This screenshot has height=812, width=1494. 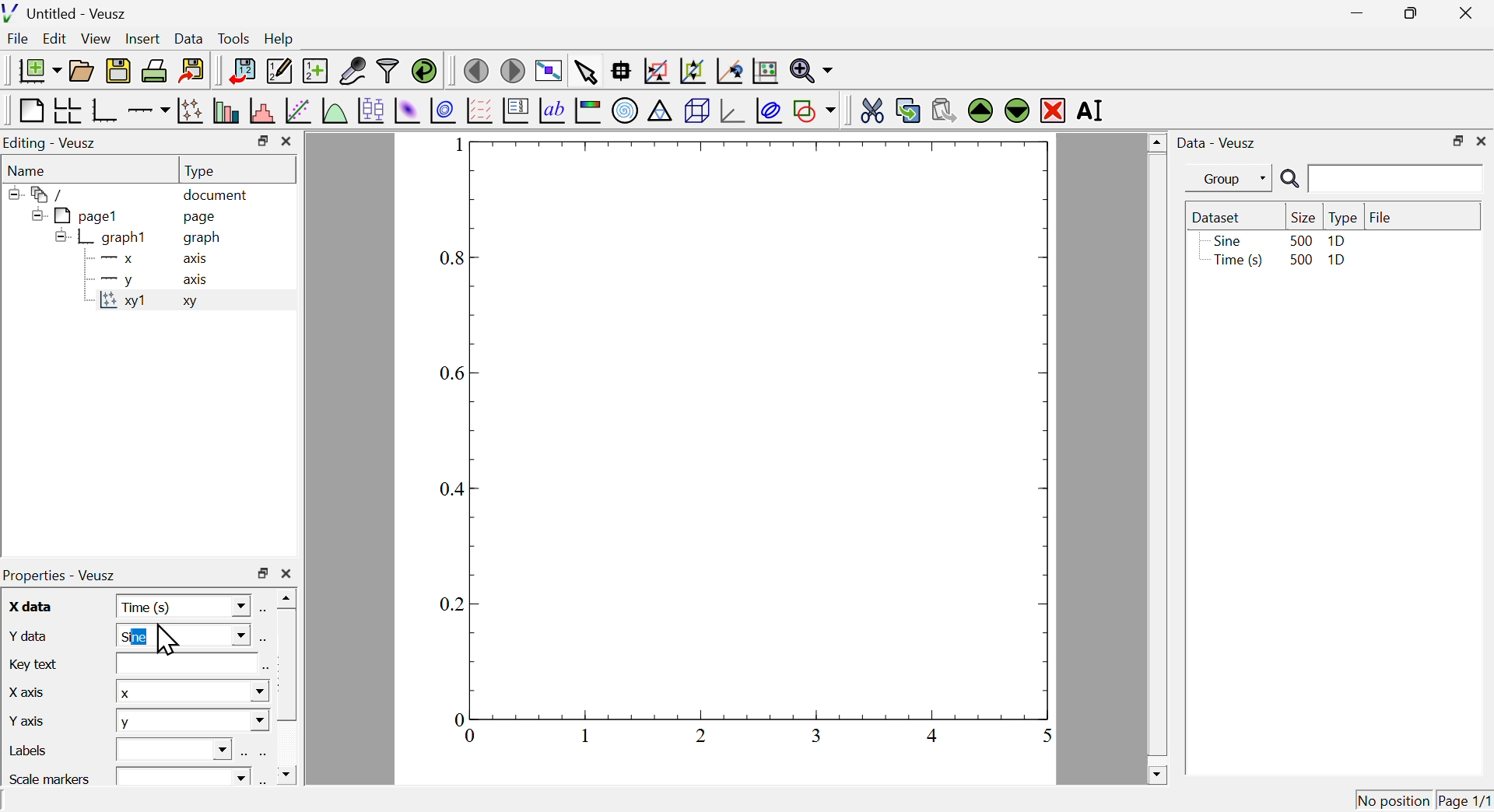 I want to click on copy the selected widget, so click(x=908, y=109).